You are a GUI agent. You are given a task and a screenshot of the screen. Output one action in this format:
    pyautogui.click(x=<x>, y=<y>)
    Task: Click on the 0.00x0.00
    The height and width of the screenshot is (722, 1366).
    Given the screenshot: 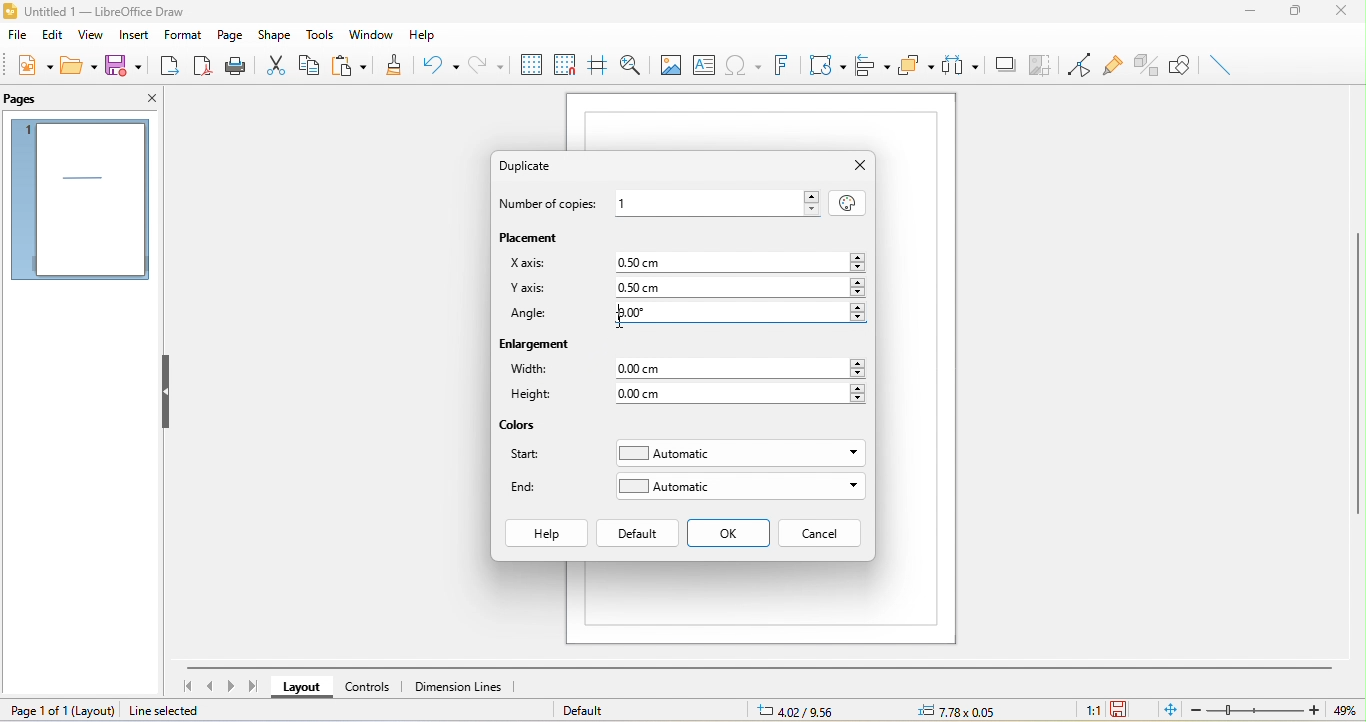 What is the action you would take?
    pyautogui.click(x=954, y=711)
    